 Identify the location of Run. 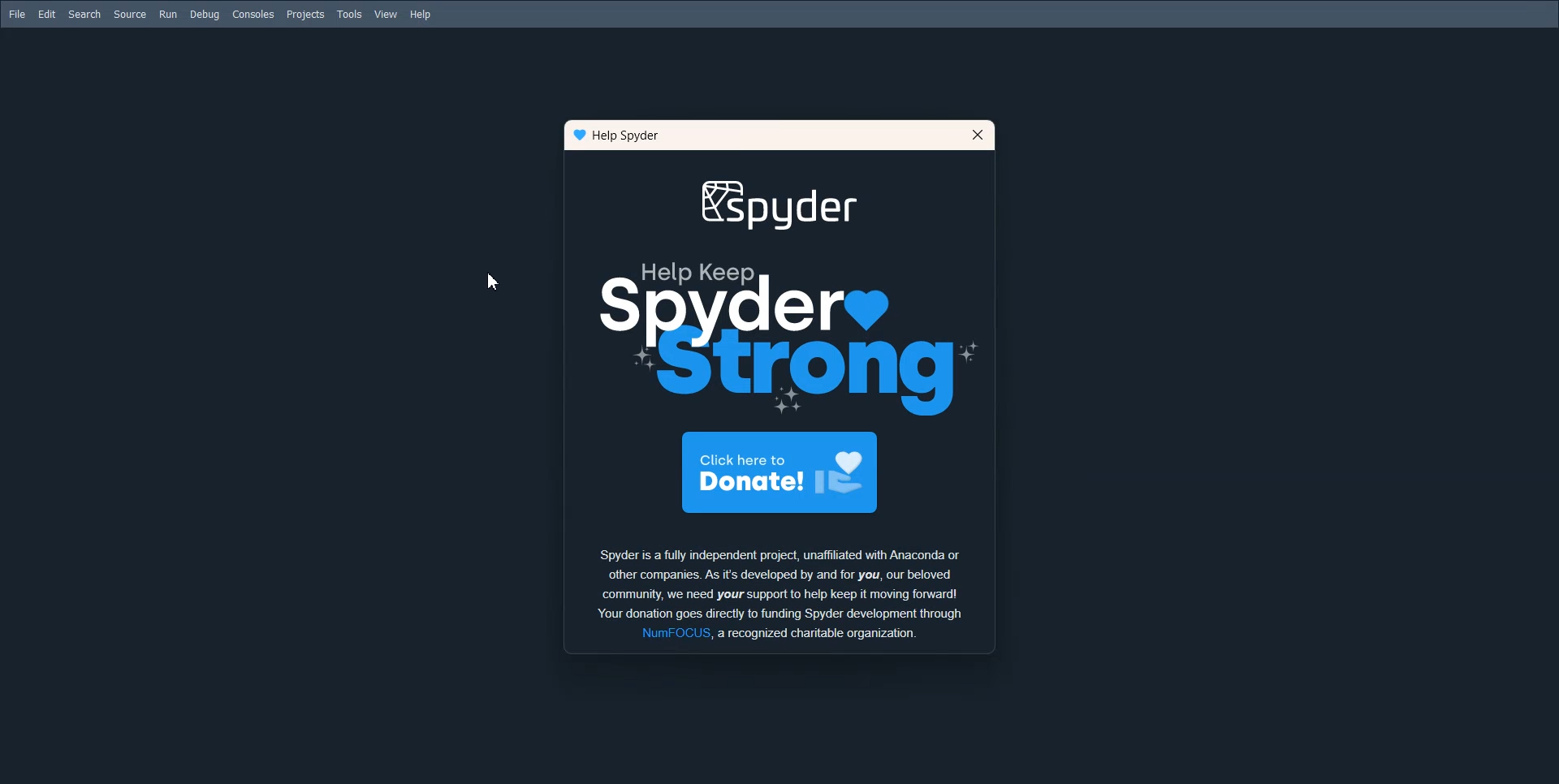
(168, 15).